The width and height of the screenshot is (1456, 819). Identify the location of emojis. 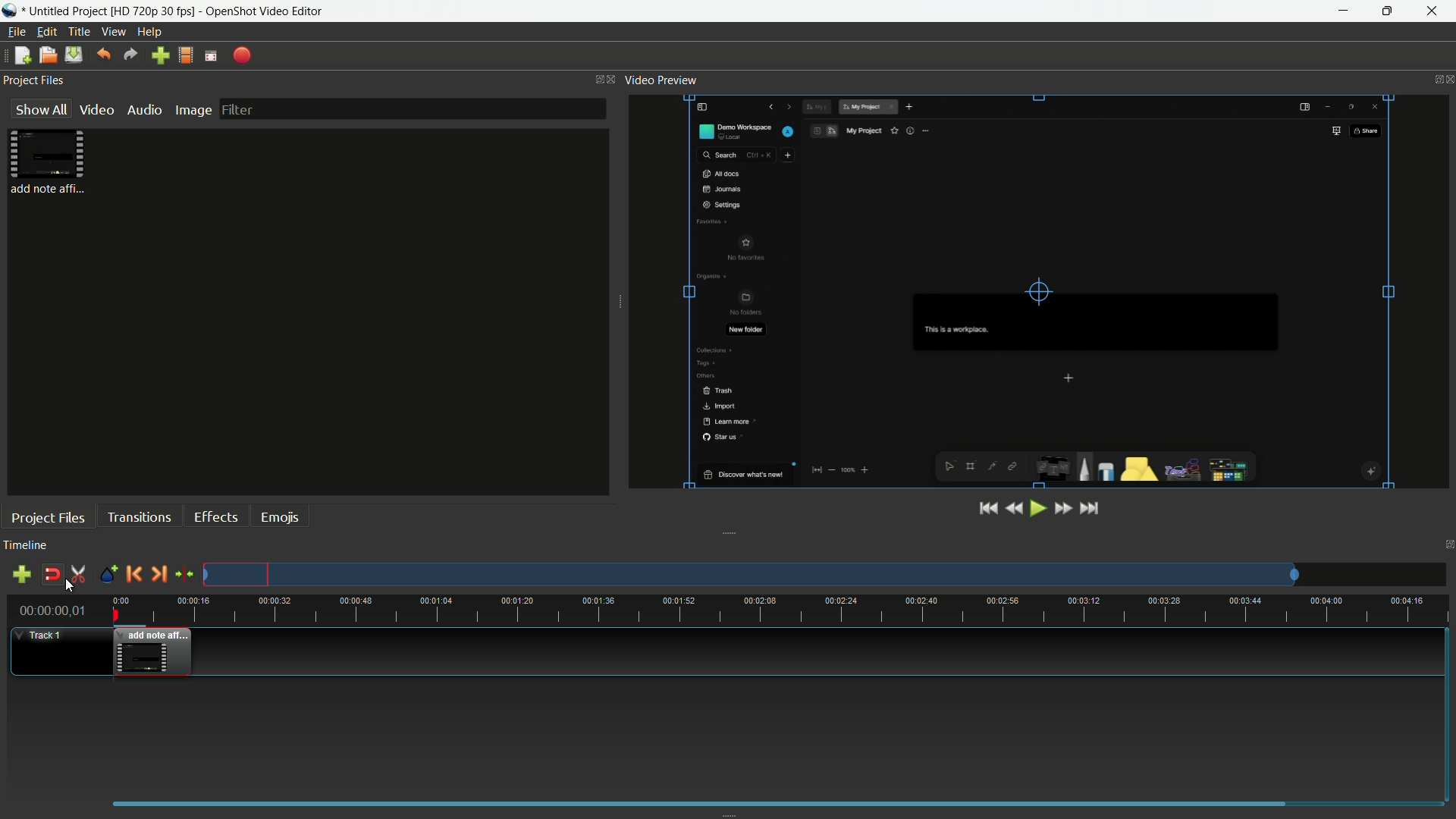
(279, 518).